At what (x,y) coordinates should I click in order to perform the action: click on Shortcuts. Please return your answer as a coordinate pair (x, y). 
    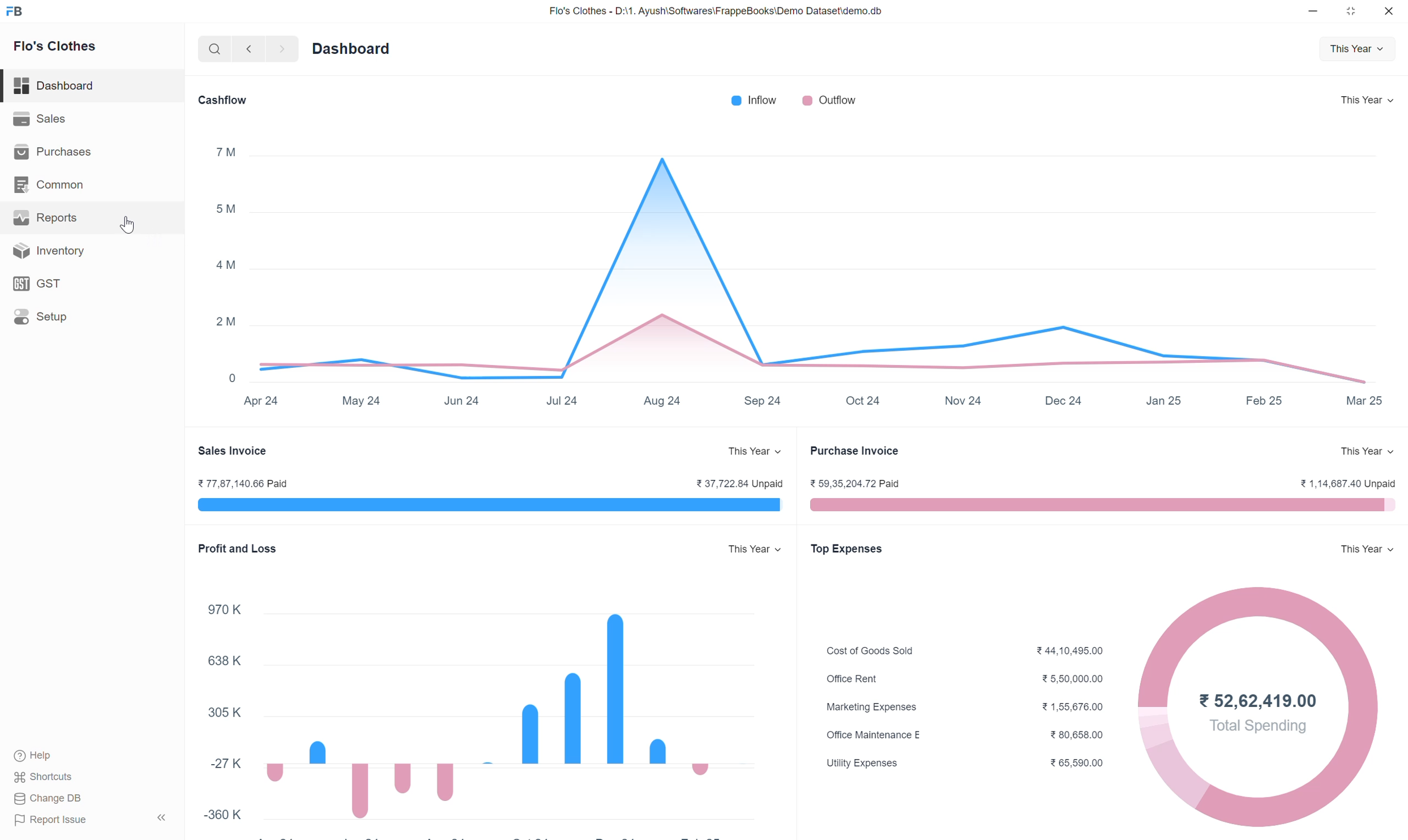
    Looking at the image, I should click on (46, 777).